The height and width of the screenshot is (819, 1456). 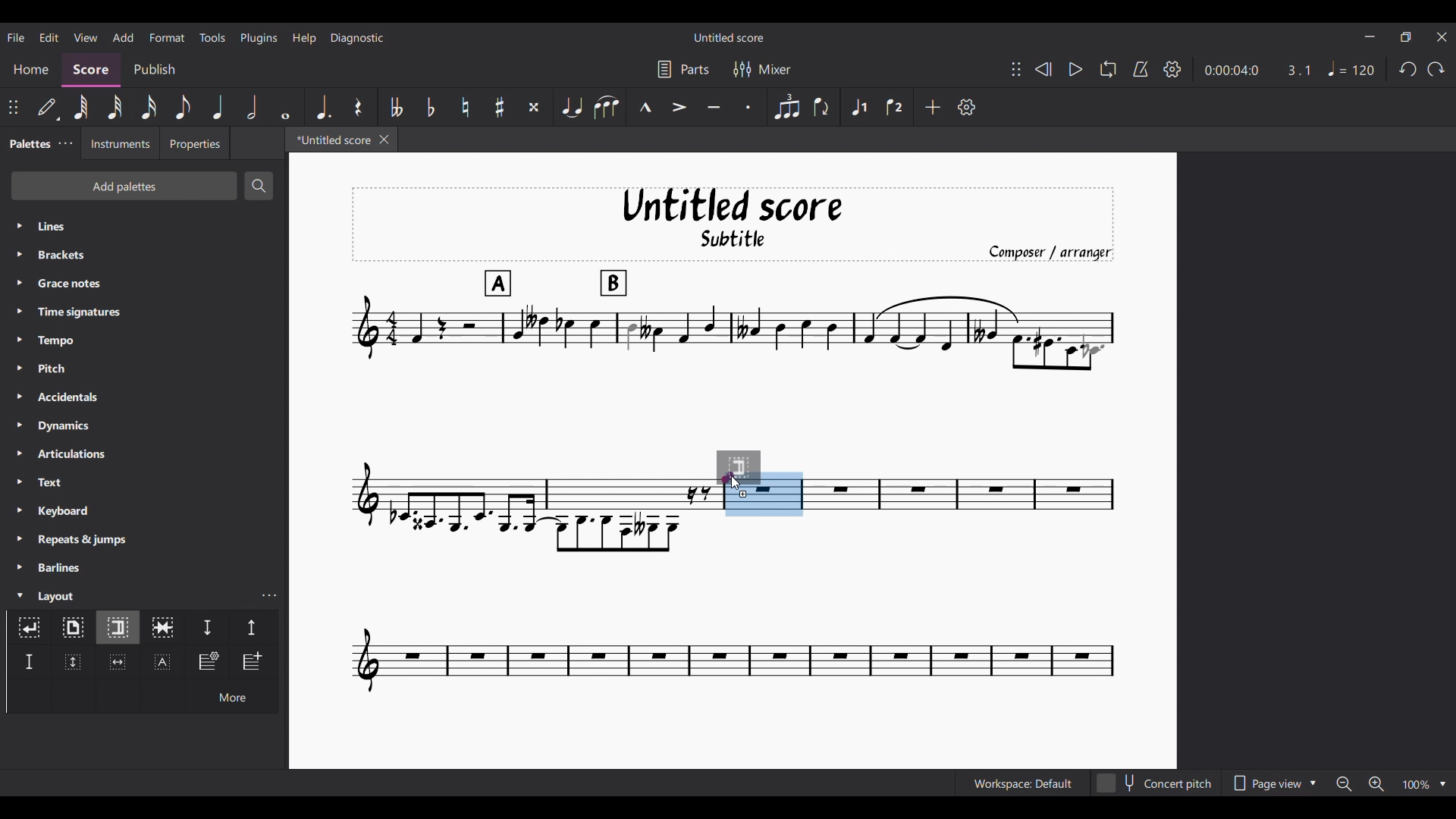 I want to click on Accidentals, so click(x=143, y=397).